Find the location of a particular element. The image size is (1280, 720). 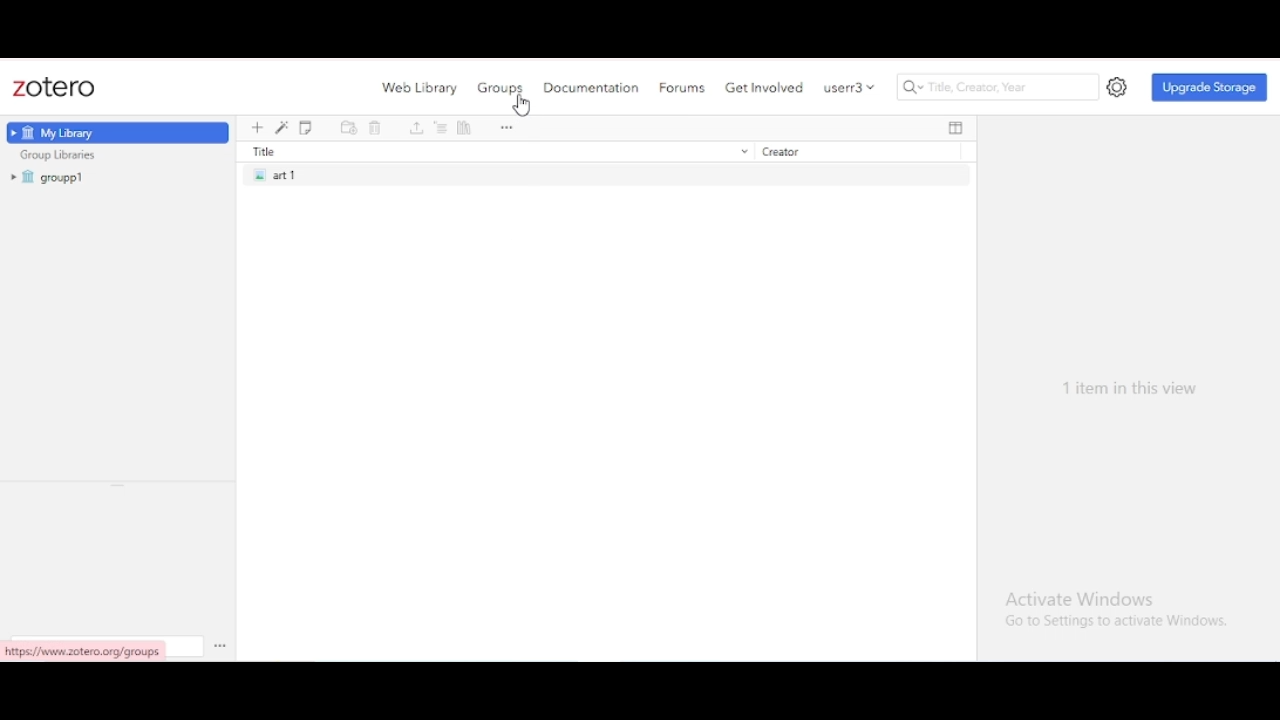

1 item in this view is located at coordinates (1130, 389).